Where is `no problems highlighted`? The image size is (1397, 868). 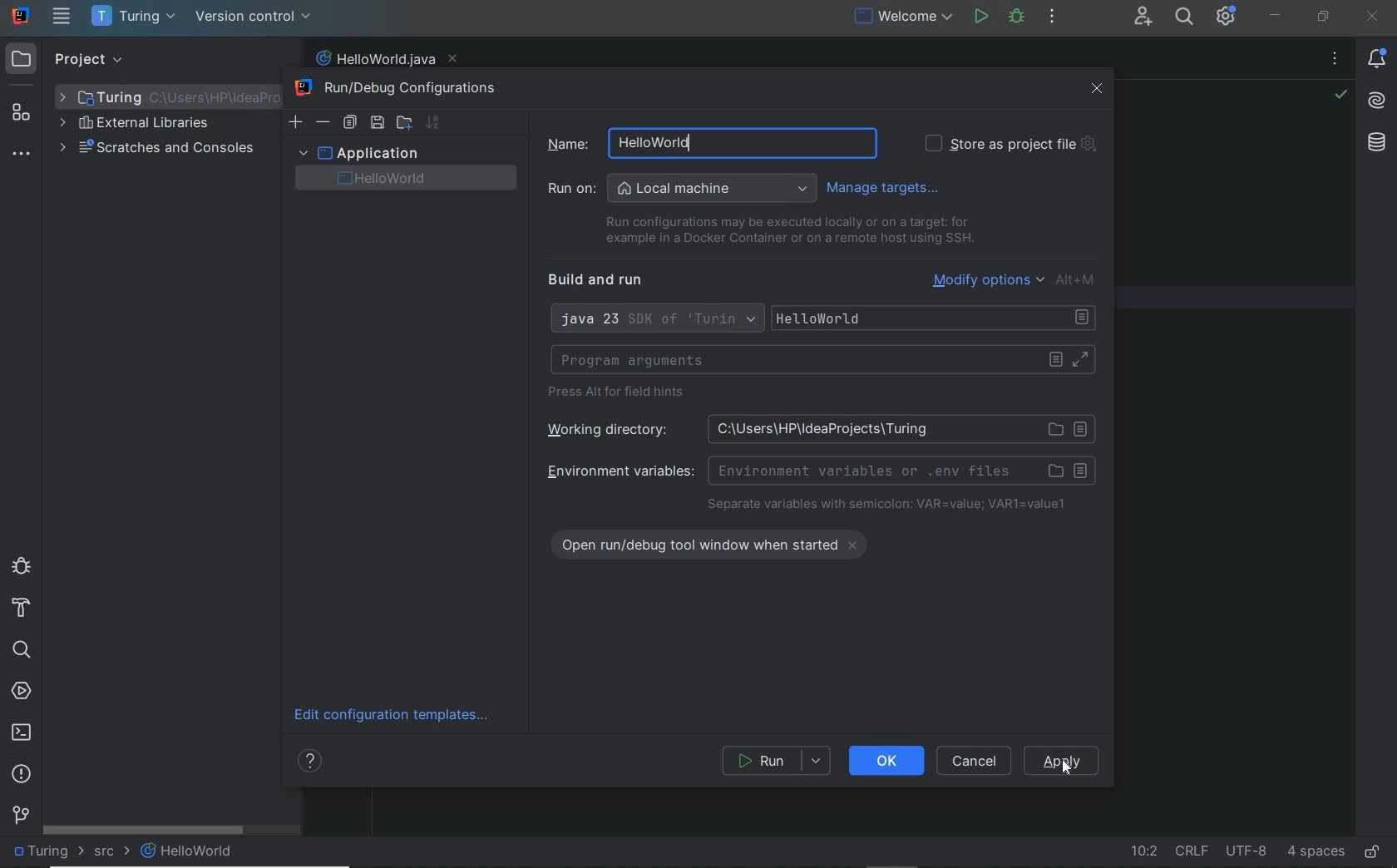
no problems highlighted is located at coordinates (1340, 95).